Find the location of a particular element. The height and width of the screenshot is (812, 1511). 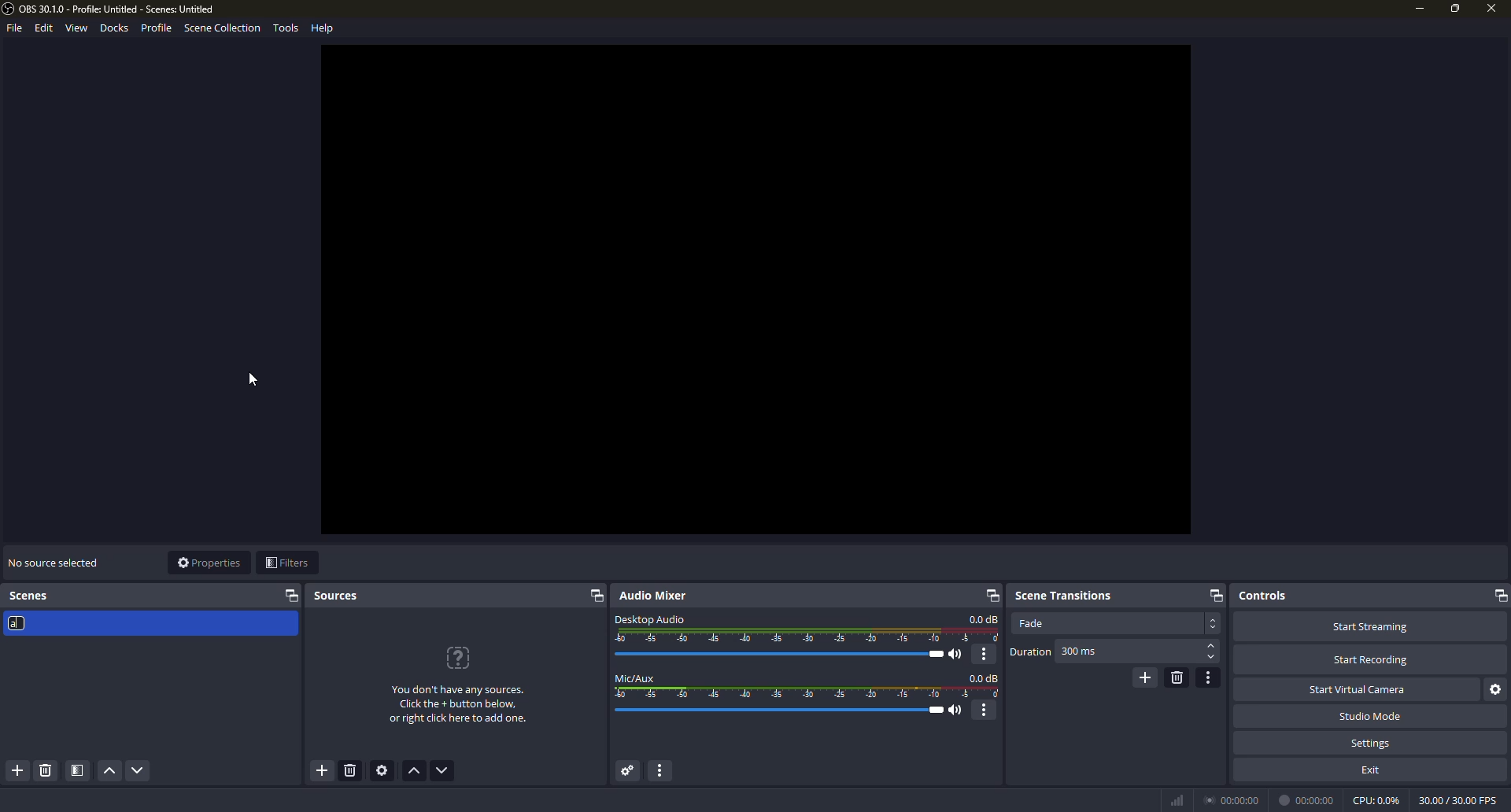

start streaming is located at coordinates (1369, 626).